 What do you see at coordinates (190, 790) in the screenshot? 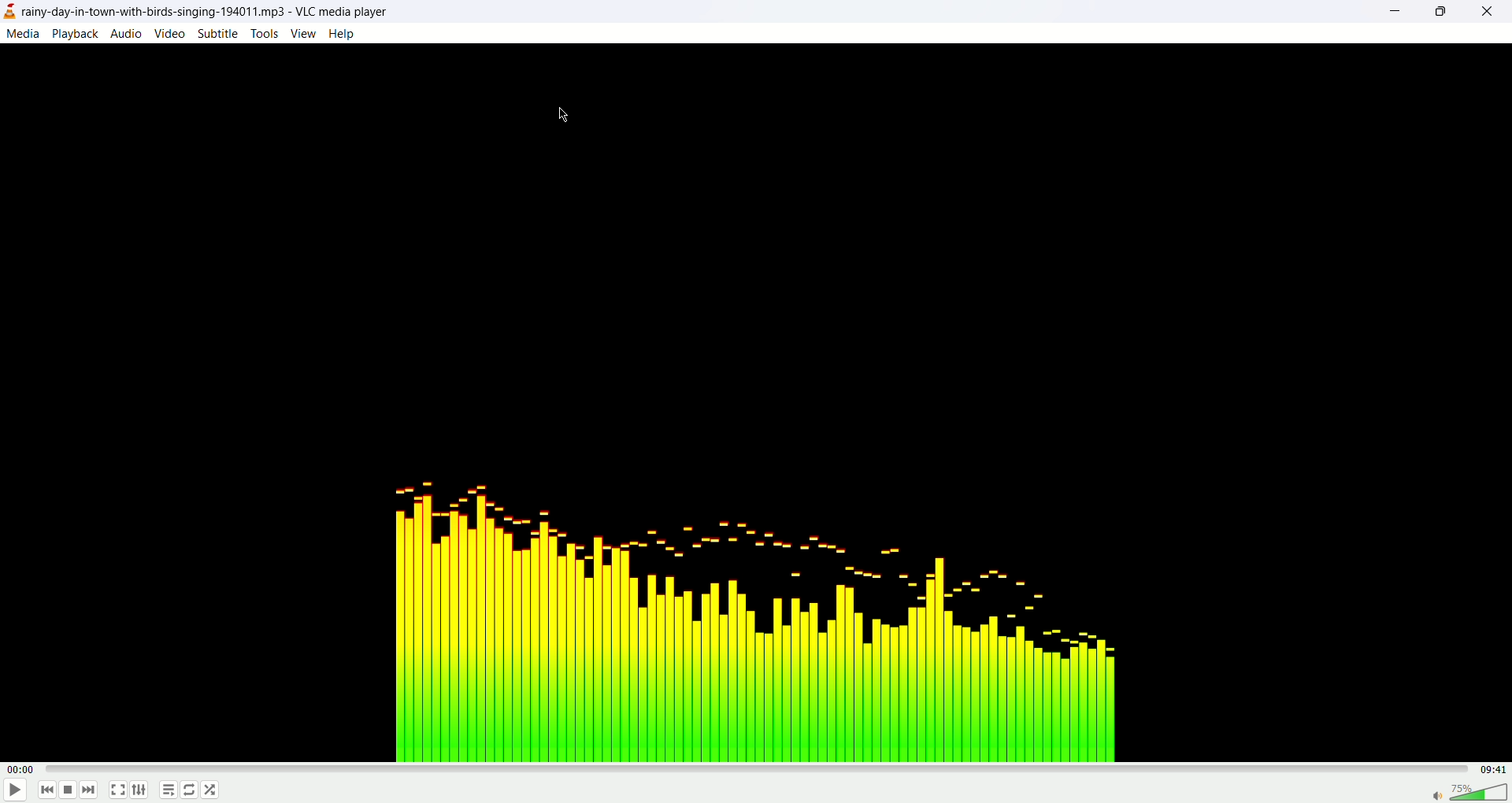
I see `loop` at bounding box center [190, 790].